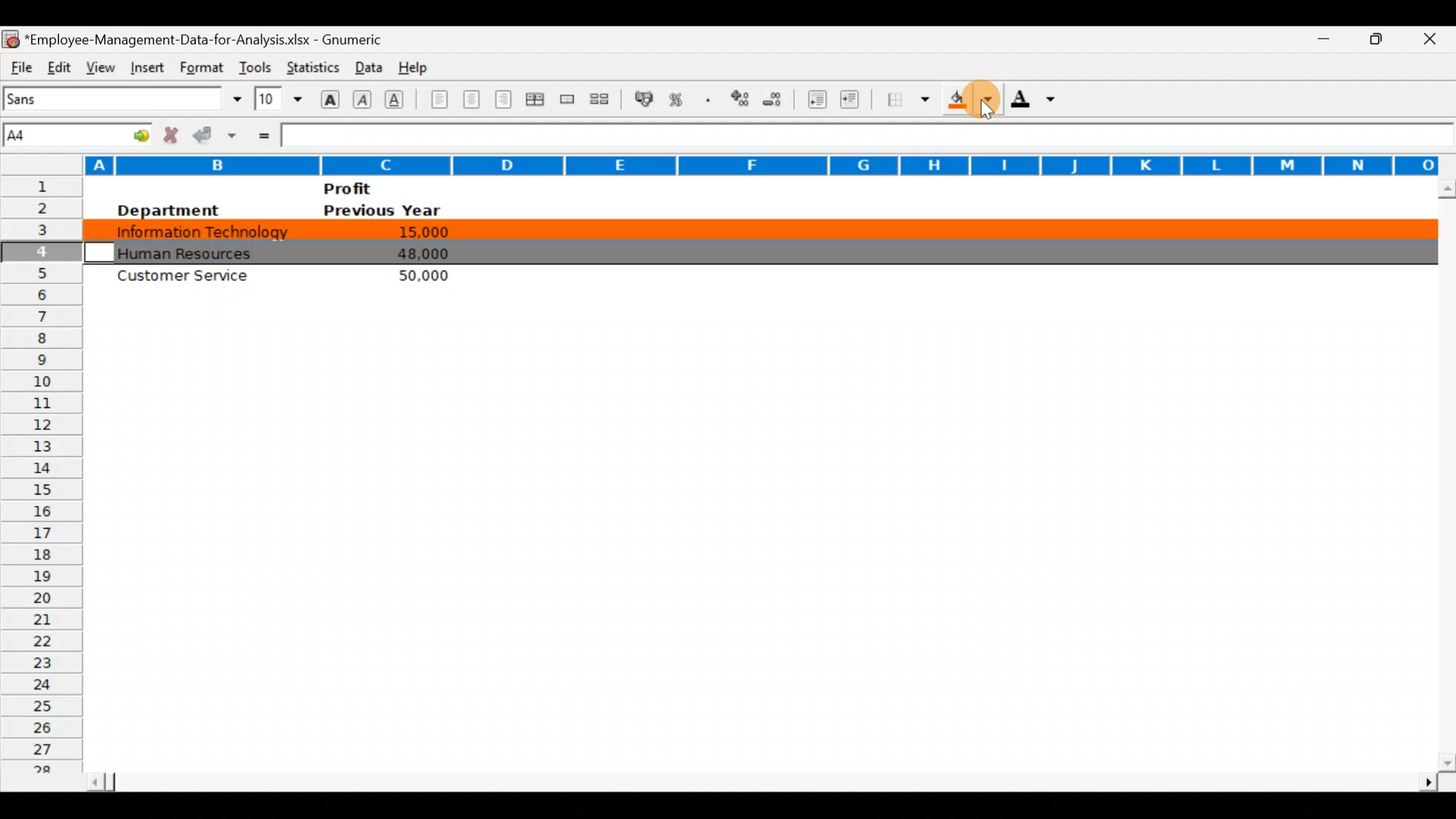 This screenshot has width=1456, height=819. I want to click on Format selection as percentage, so click(681, 99).